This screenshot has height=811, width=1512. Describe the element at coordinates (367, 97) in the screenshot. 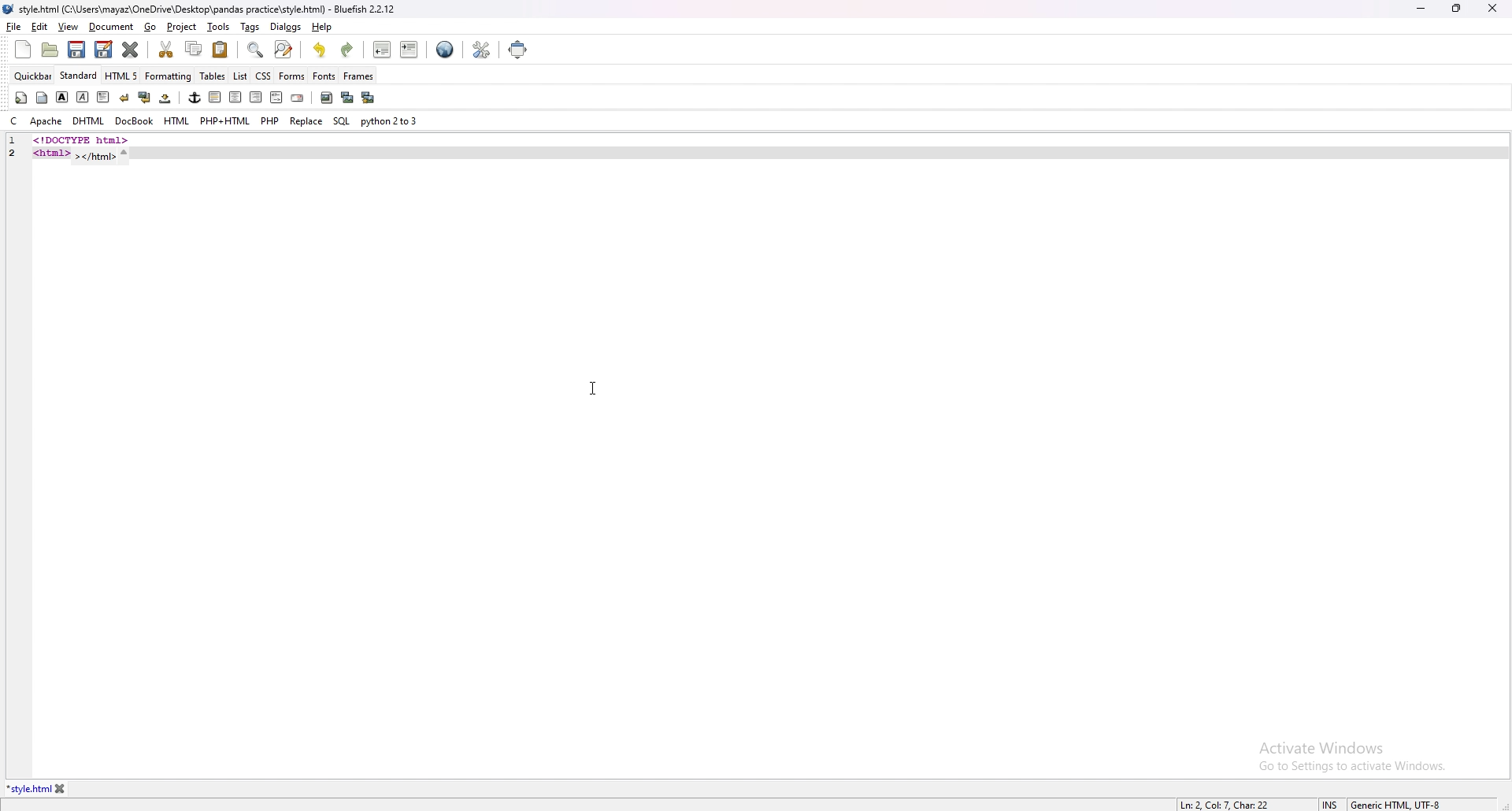

I see `multi thumbnail` at that location.